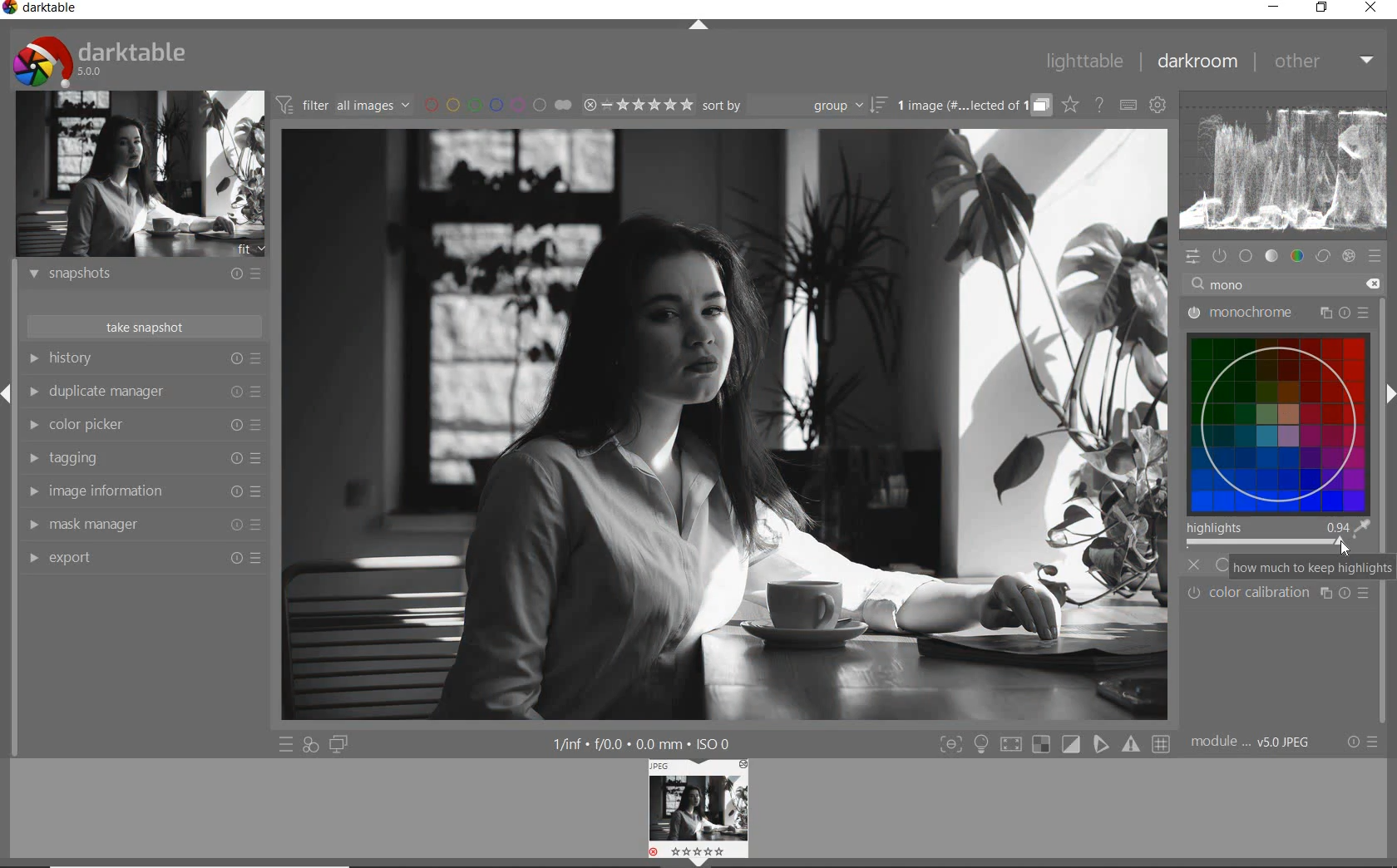  I want to click on system name, so click(42, 10).